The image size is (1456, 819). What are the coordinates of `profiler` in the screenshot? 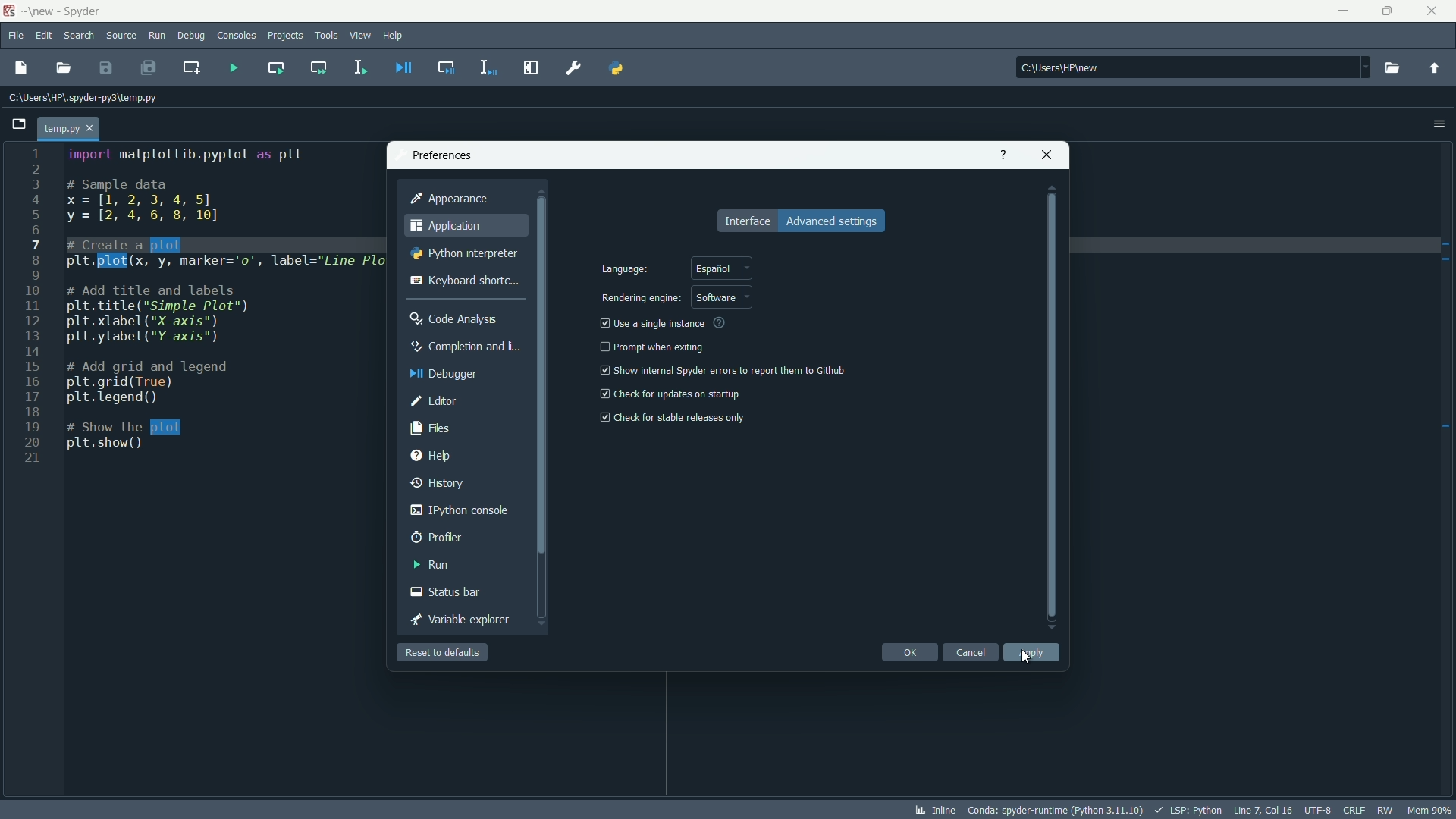 It's located at (438, 537).